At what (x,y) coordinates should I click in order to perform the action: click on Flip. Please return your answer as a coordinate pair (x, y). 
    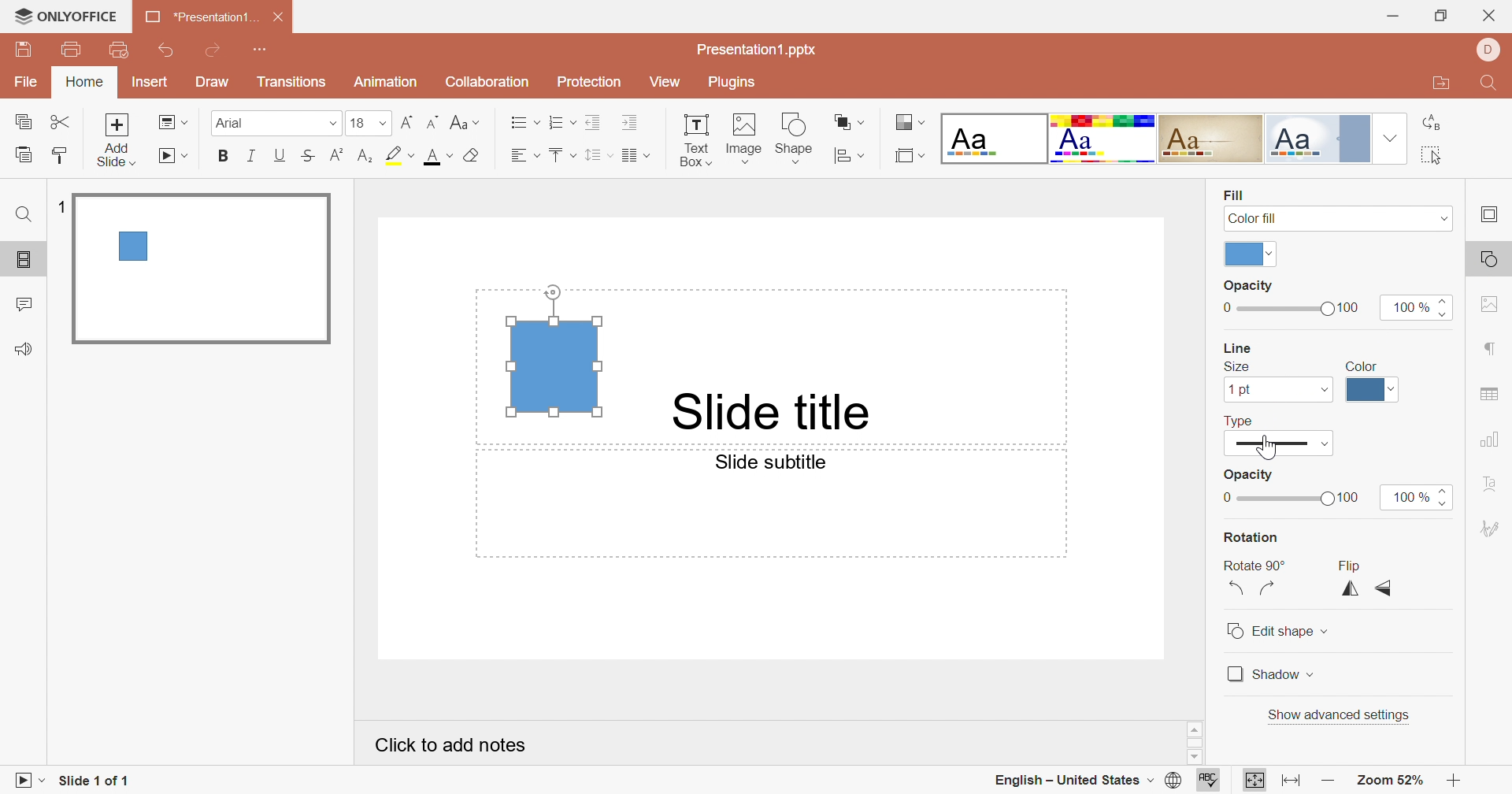
    Looking at the image, I should click on (1347, 565).